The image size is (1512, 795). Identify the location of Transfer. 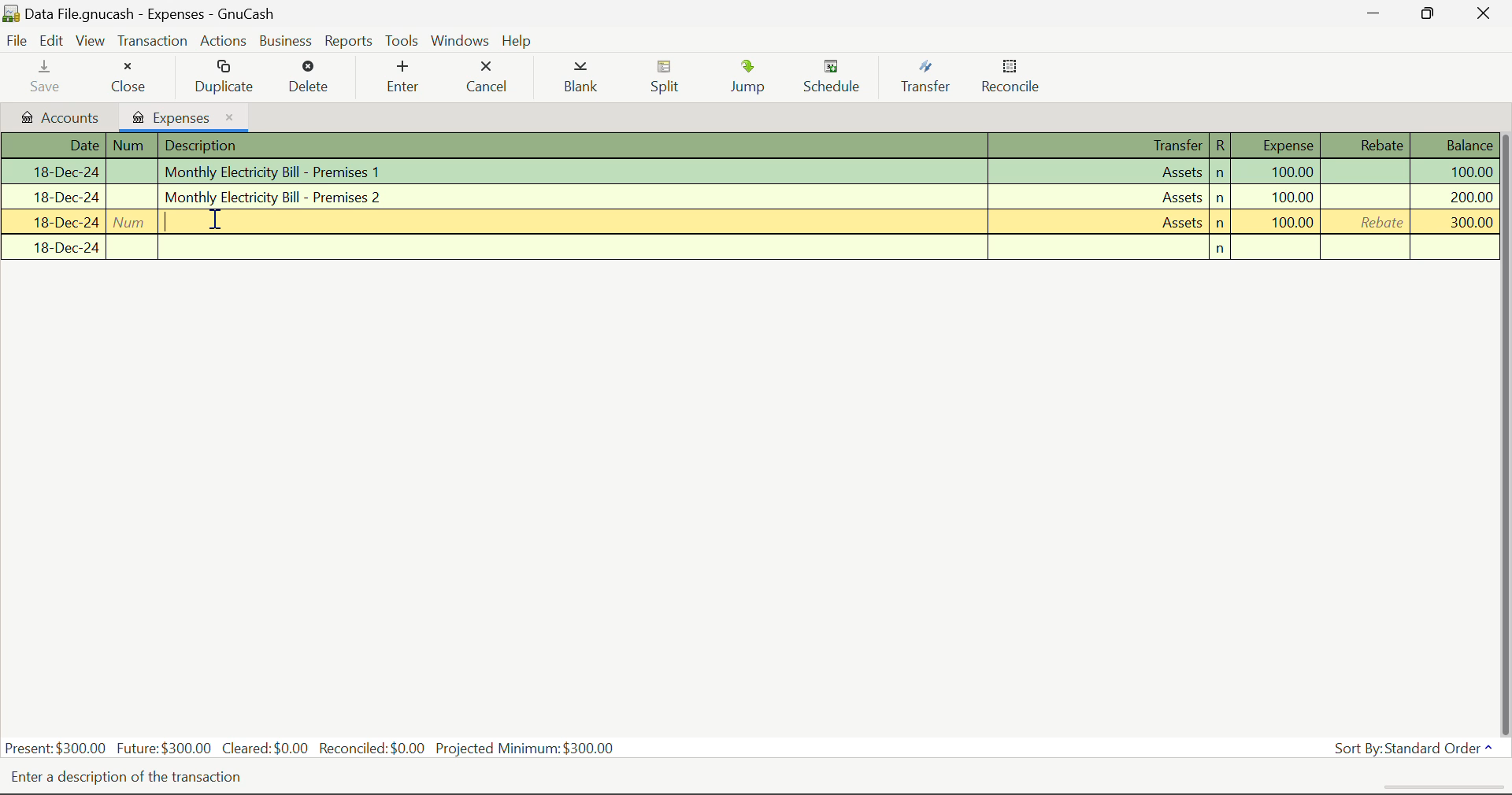
(929, 79).